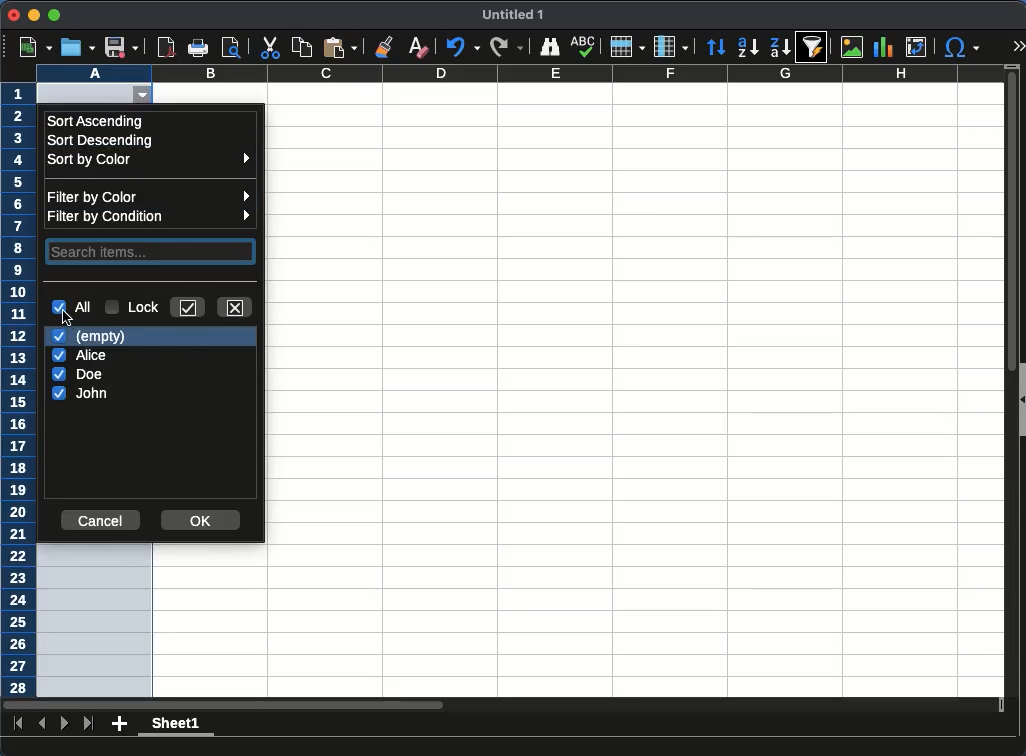  I want to click on cursor, so click(69, 318).